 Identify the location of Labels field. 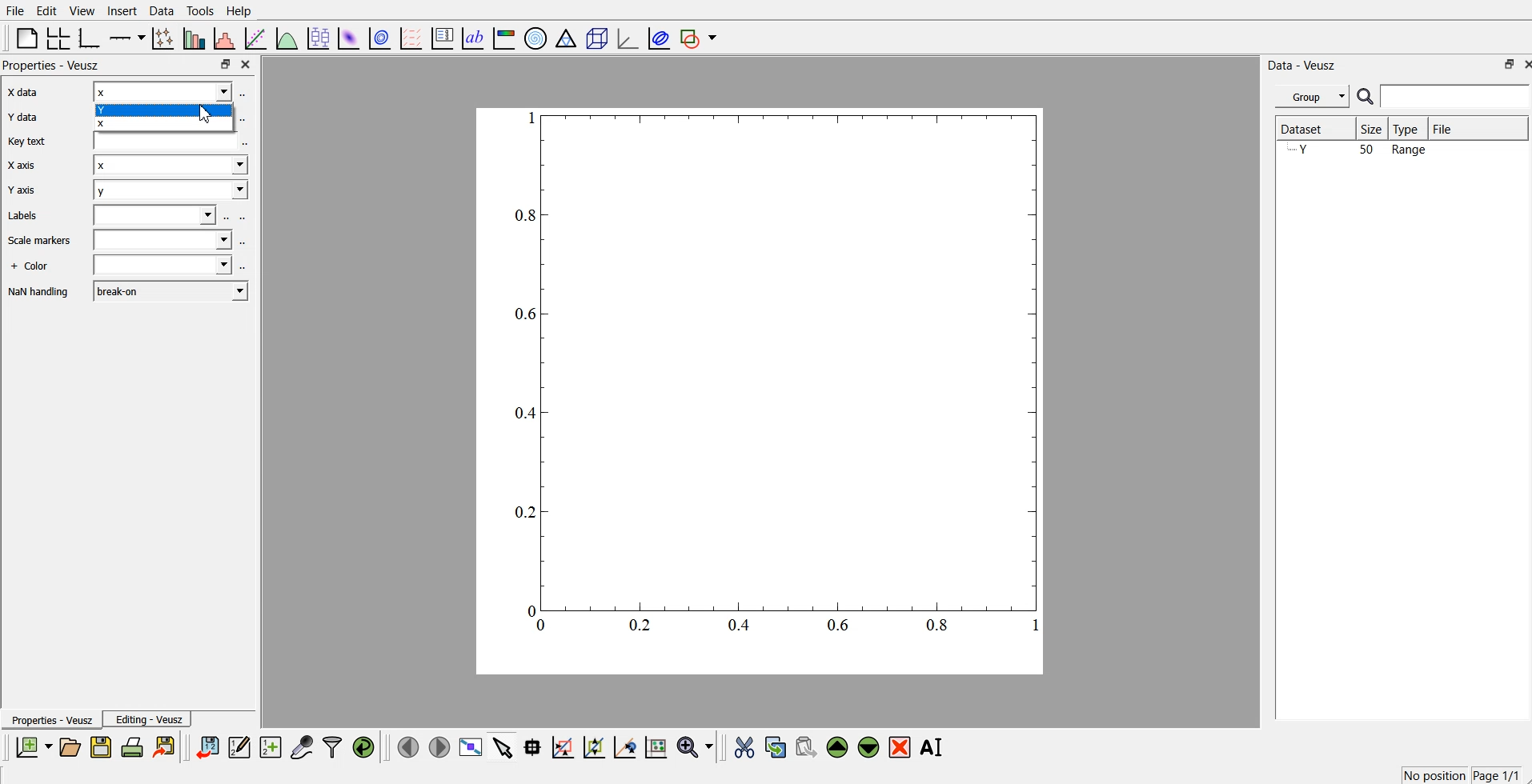
(157, 216).